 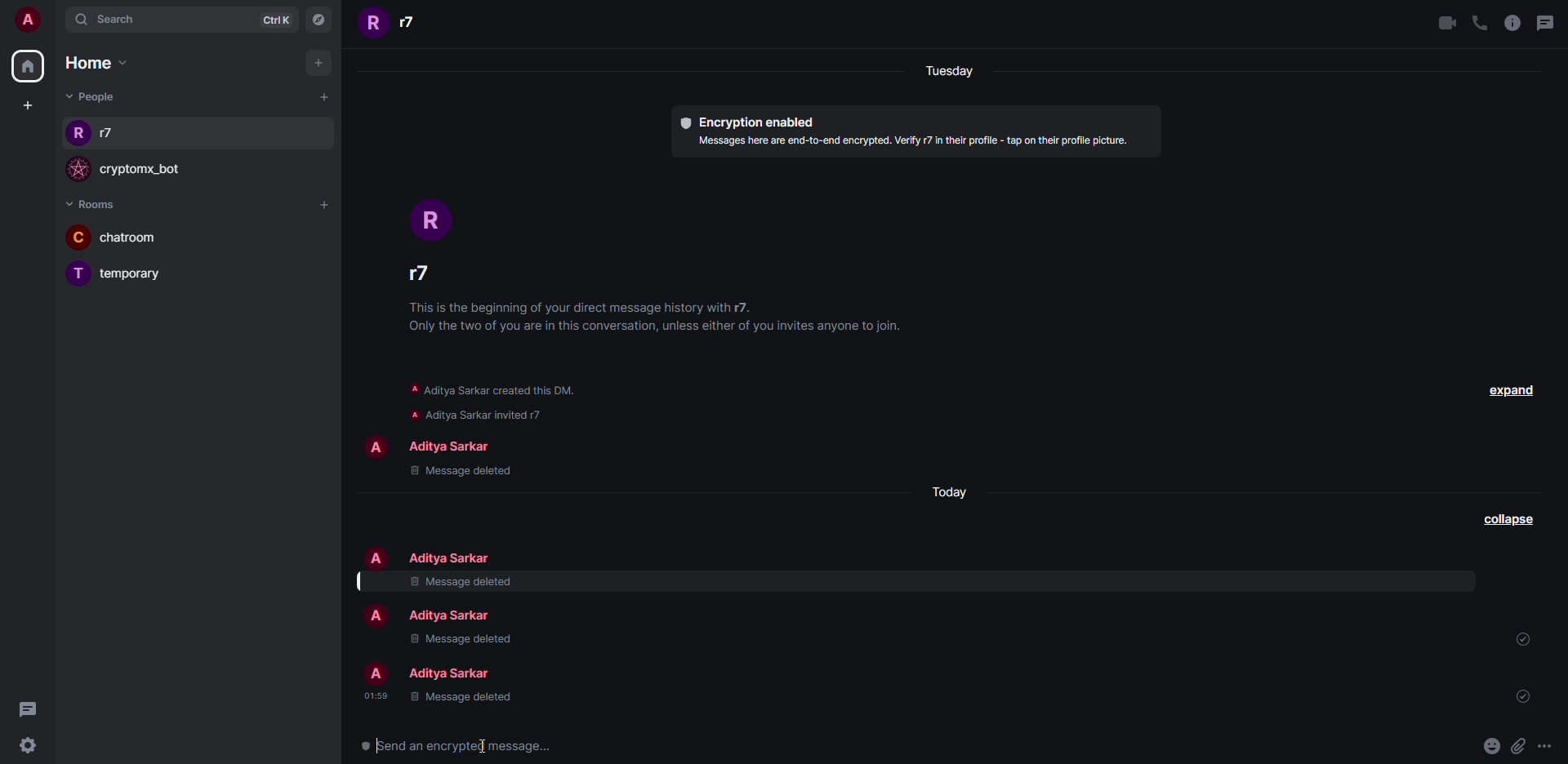 What do you see at coordinates (952, 488) in the screenshot?
I see `day` at bounding box center [952, 488].